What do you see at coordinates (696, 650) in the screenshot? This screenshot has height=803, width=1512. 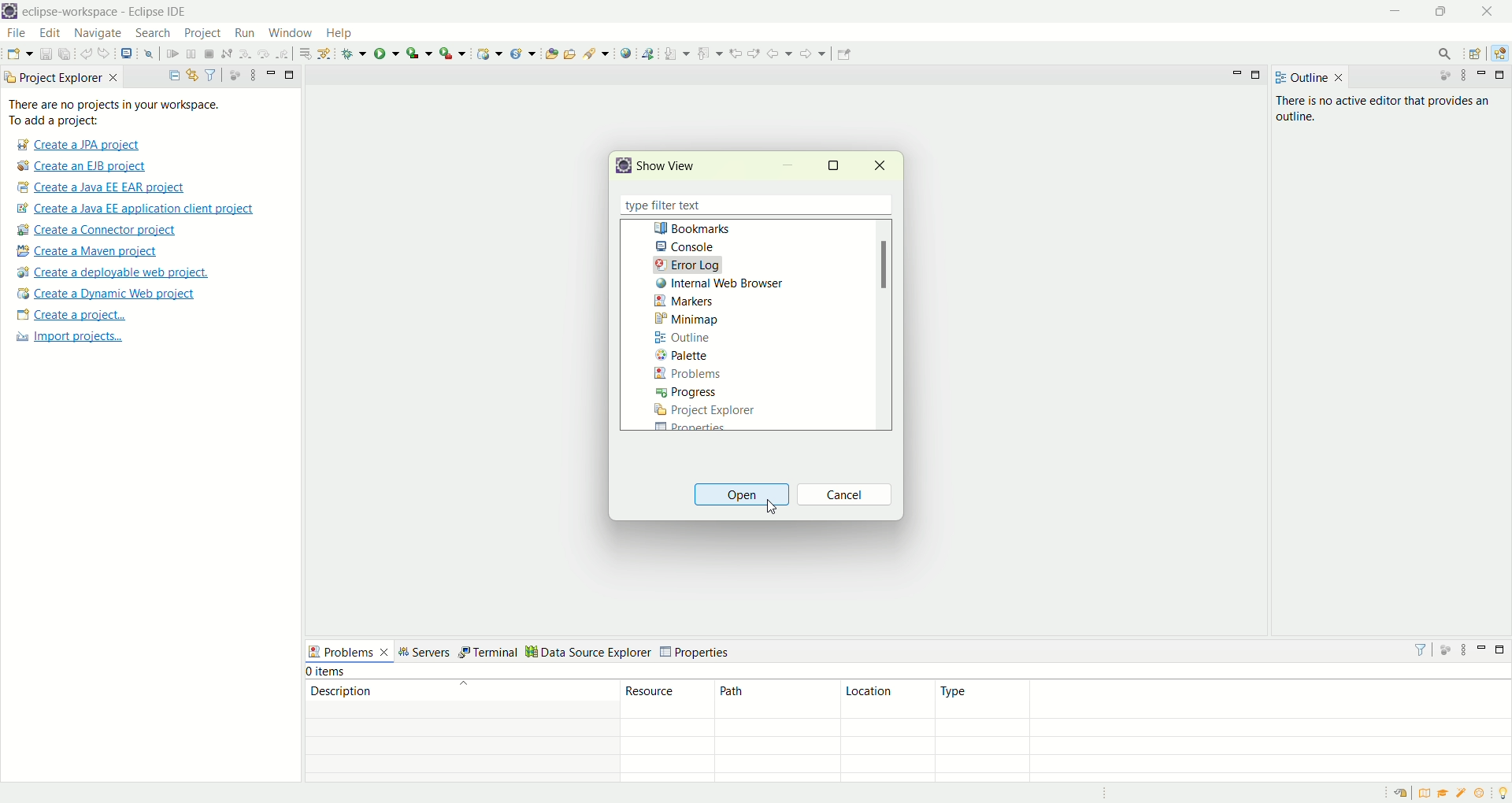 I see `properties` at bounding box center [696, 650].